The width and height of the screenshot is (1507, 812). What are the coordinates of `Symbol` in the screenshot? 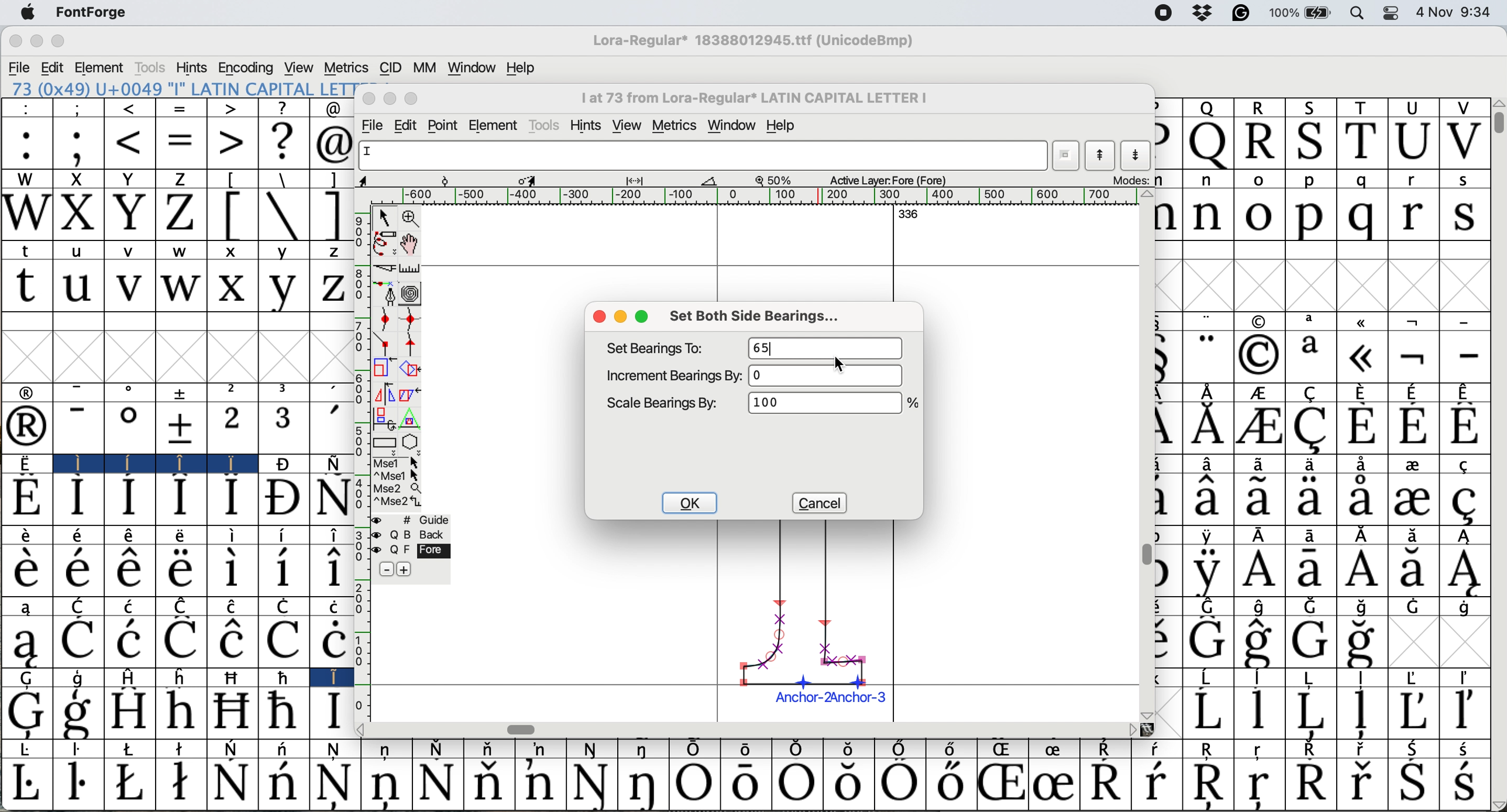 It's located at (80, 536).